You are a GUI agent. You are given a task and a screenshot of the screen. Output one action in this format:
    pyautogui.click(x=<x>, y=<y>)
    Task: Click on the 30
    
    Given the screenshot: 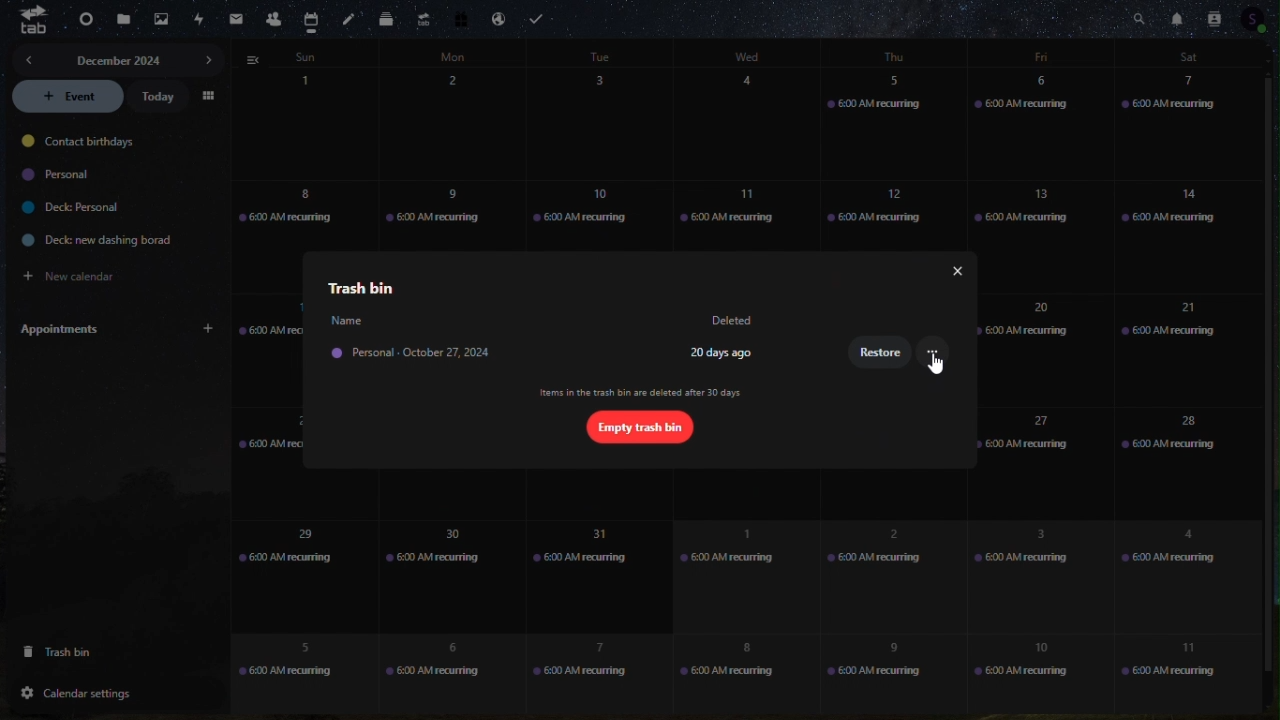 What is the action you would take?
    pyautogui.click(x=438, y=574)
    